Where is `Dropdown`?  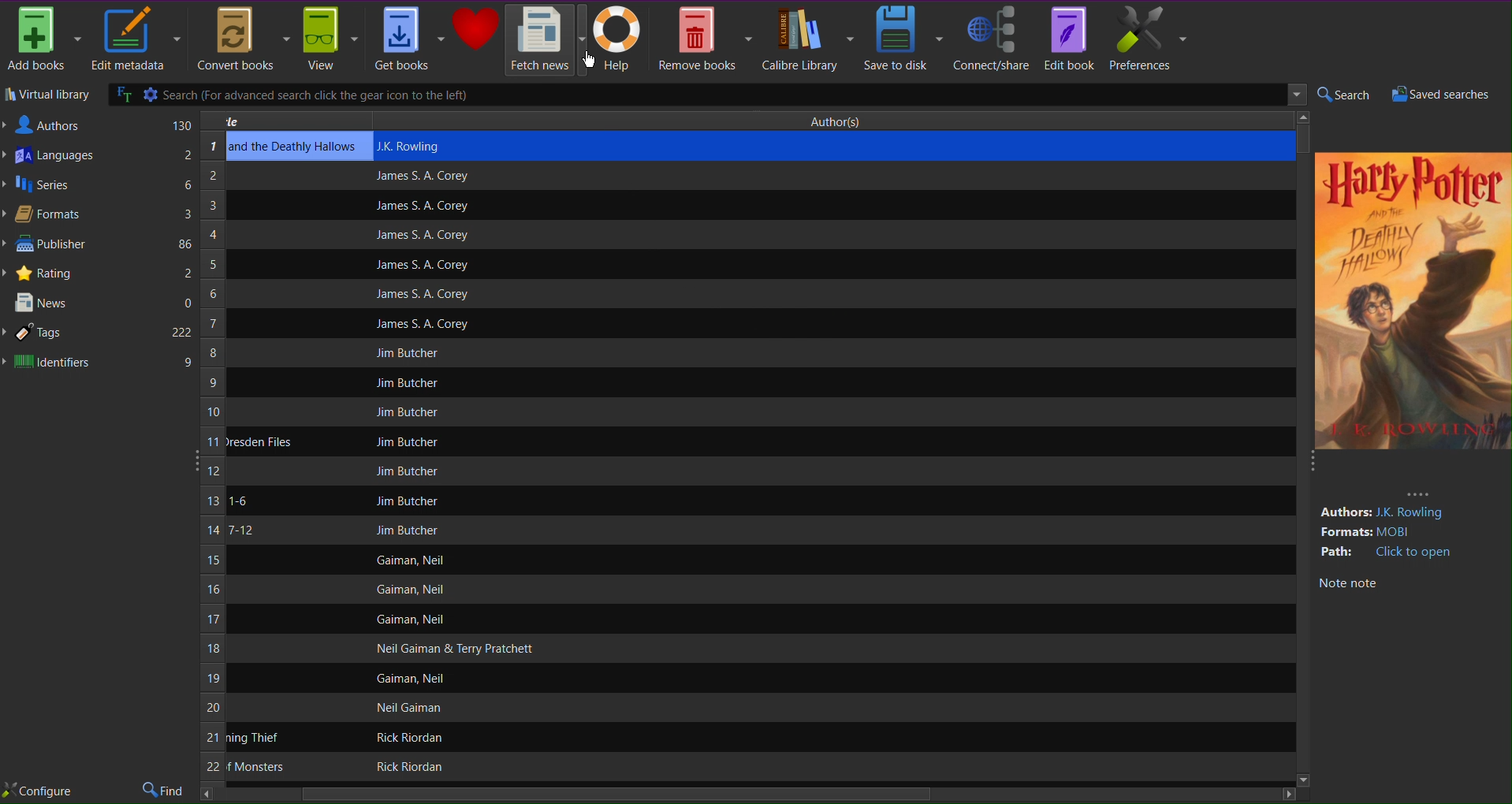
Dropdown is located at coordinates (1297, 95).